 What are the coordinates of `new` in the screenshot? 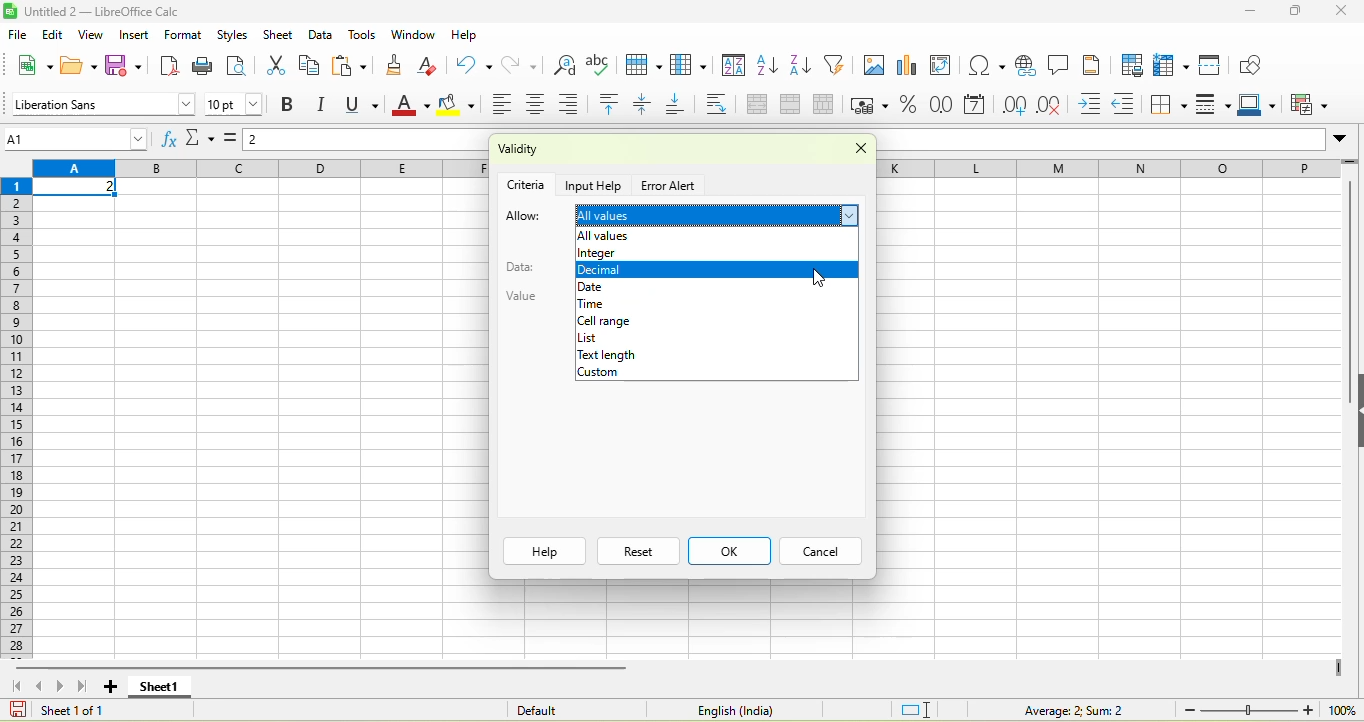 It's located at (33, 64).